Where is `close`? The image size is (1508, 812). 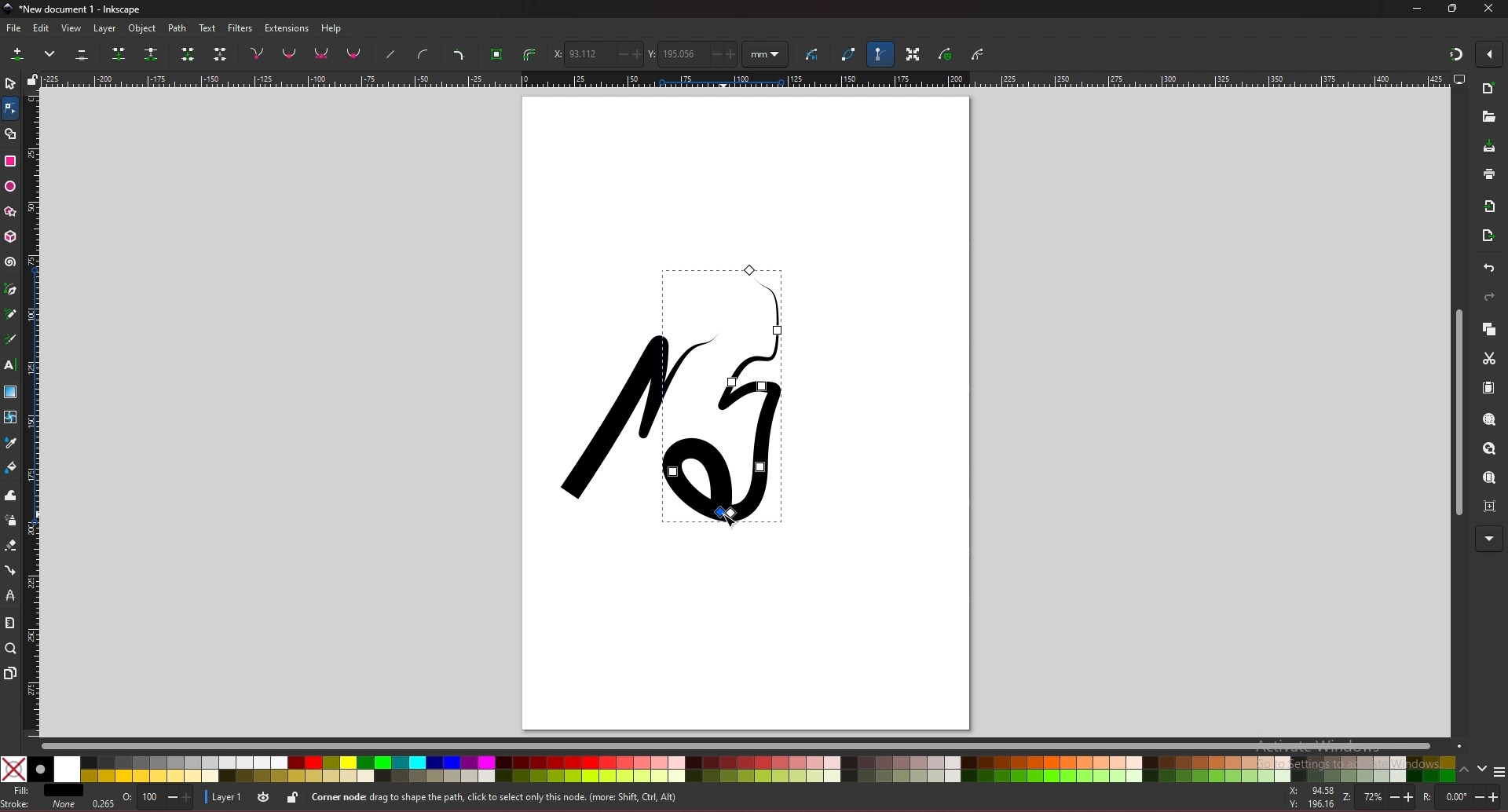 close is located at coordinates (1489, 9).